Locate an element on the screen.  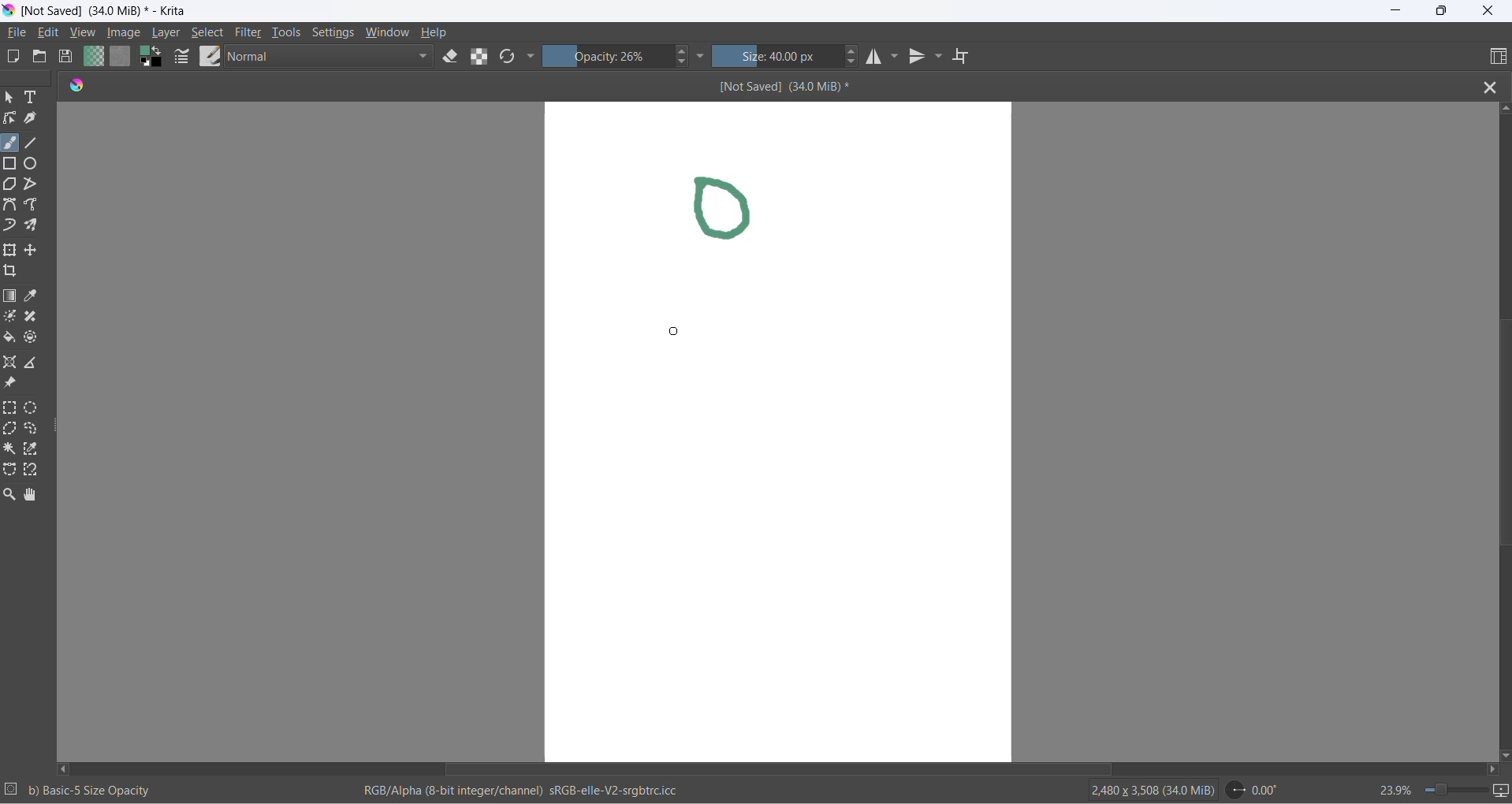
new document is located at coordinates (17, 57).